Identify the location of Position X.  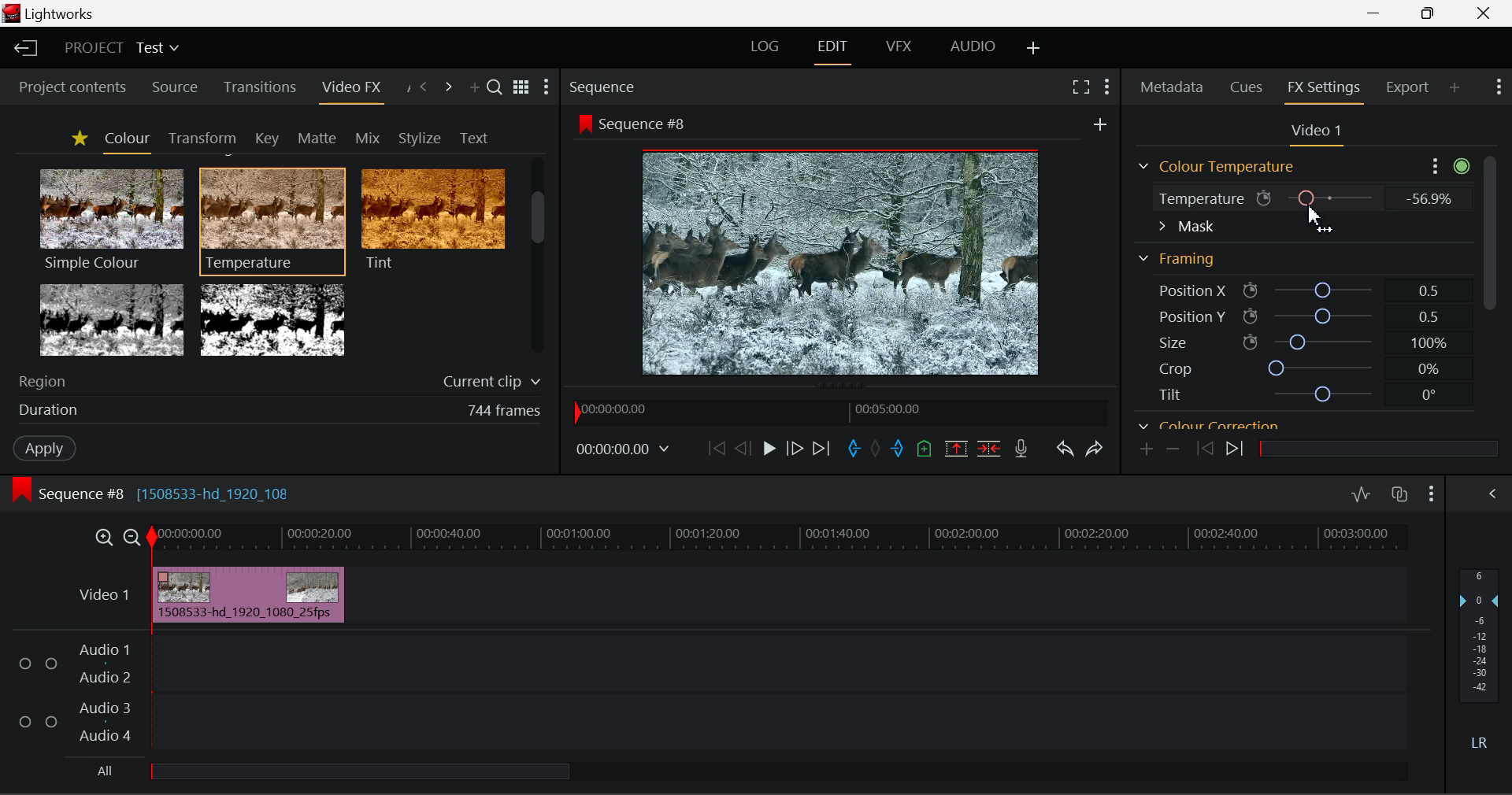
(1183, 291).